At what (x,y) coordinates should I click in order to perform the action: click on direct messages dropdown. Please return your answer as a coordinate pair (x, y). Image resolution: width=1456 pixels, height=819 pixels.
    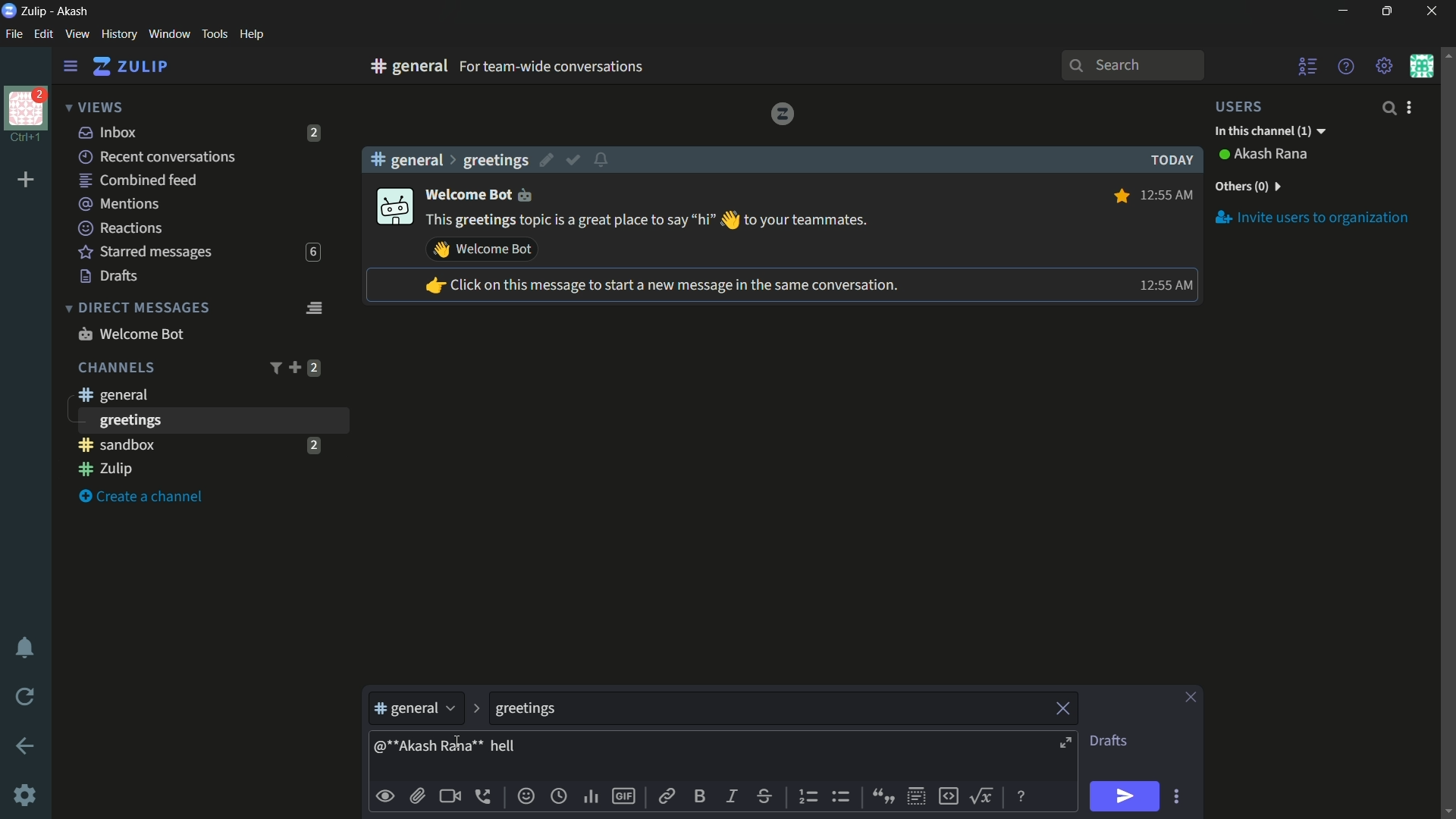
    Looking at the image, I should click on (136, 309).